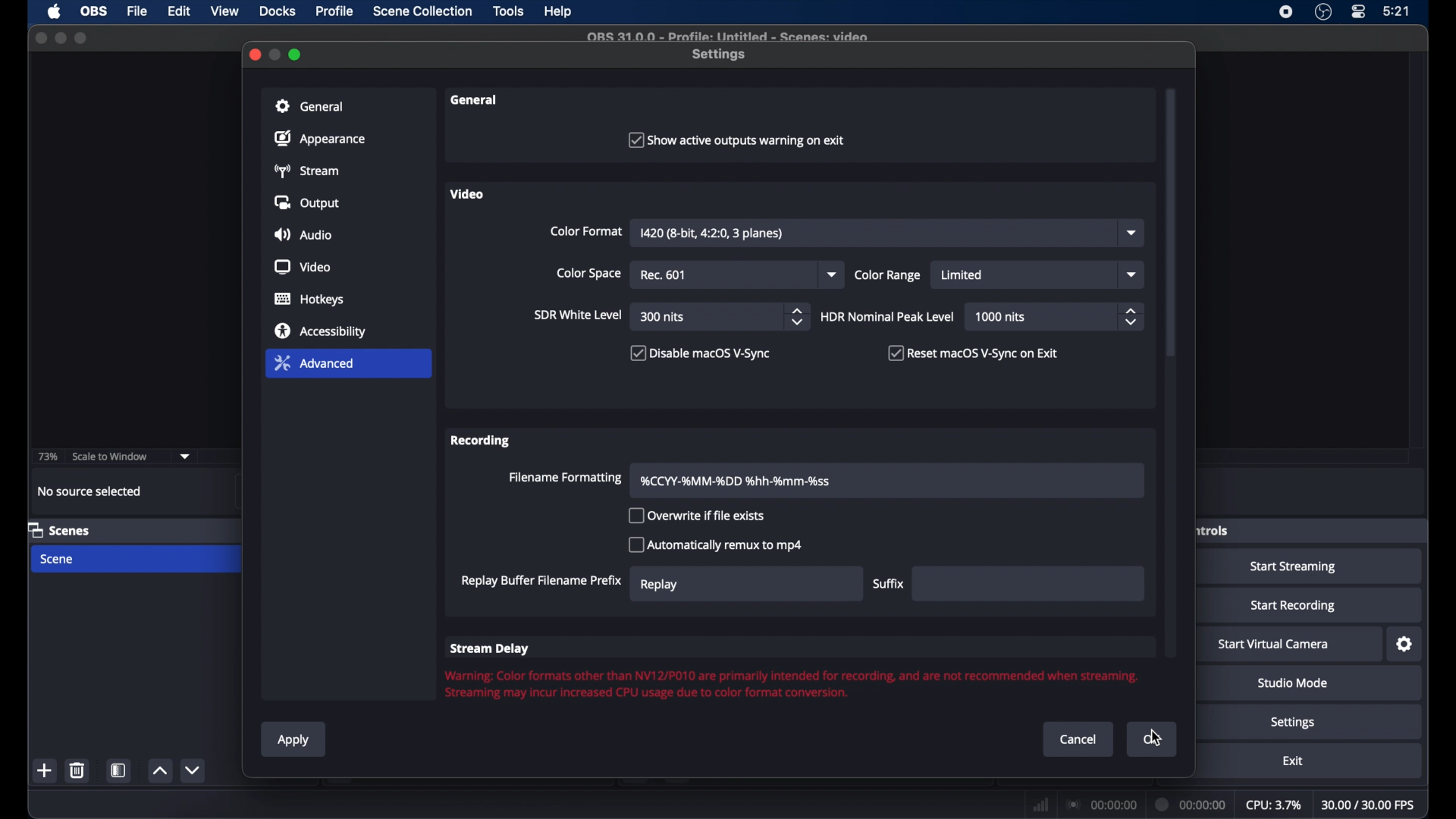 The image size is (1456, 819). Describe the element at coordinates (320, 140) in the screenshot. I see `appearance` at that location.